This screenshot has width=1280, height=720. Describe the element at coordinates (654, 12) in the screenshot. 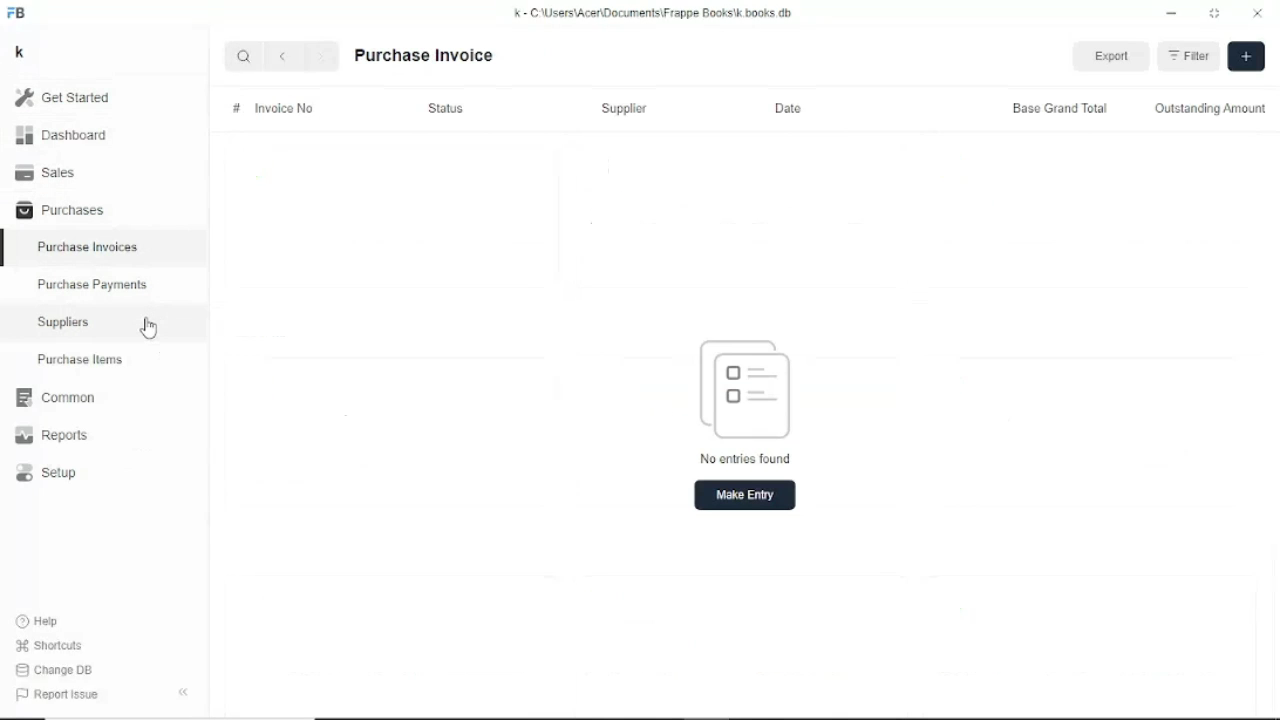

I see `k - C\Users\Acer\Documents\Frappe books\k.books.db` at that location.